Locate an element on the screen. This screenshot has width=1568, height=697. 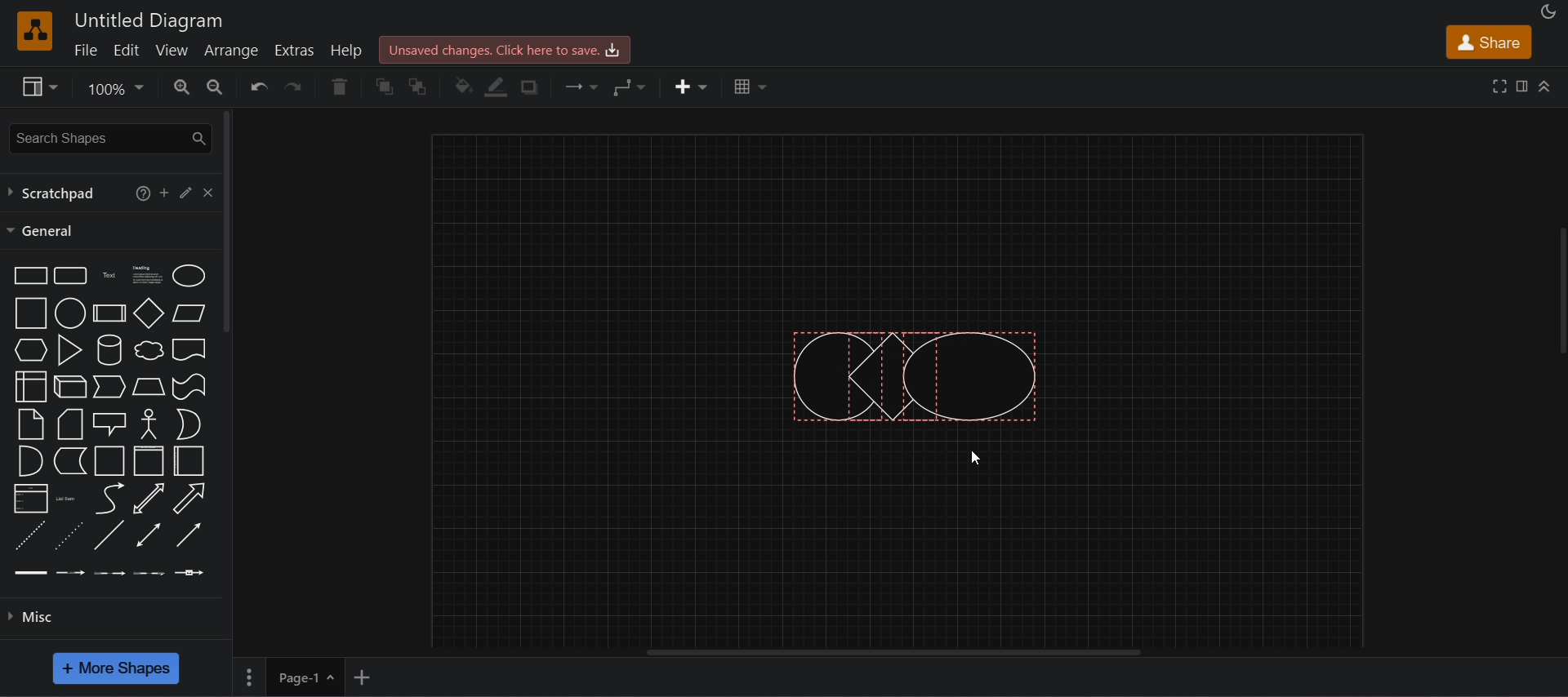
Bidirectional connector is located at coordinates (149, 535).